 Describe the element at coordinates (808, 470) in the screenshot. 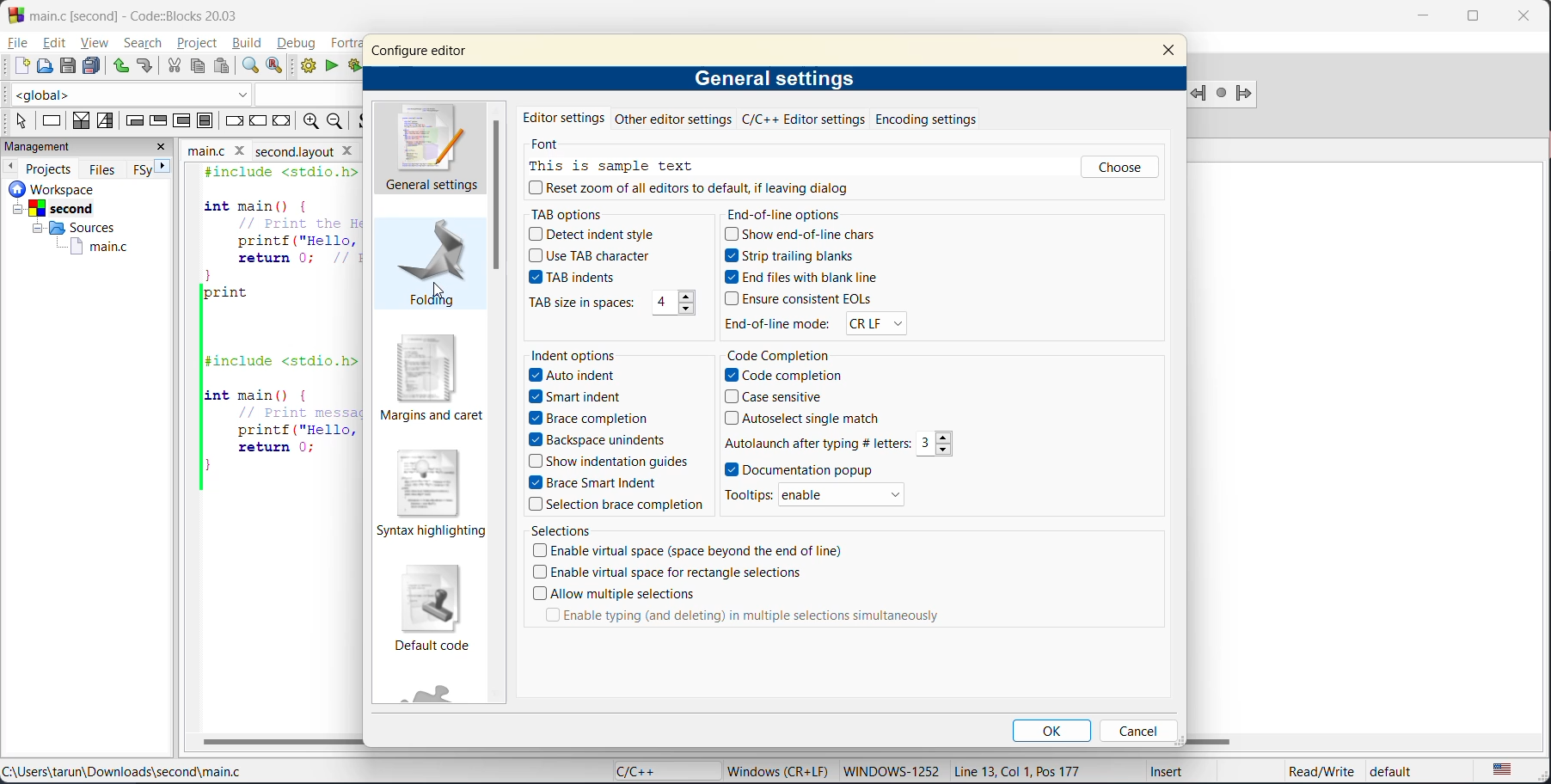

I see `Documentation popup` at that location.